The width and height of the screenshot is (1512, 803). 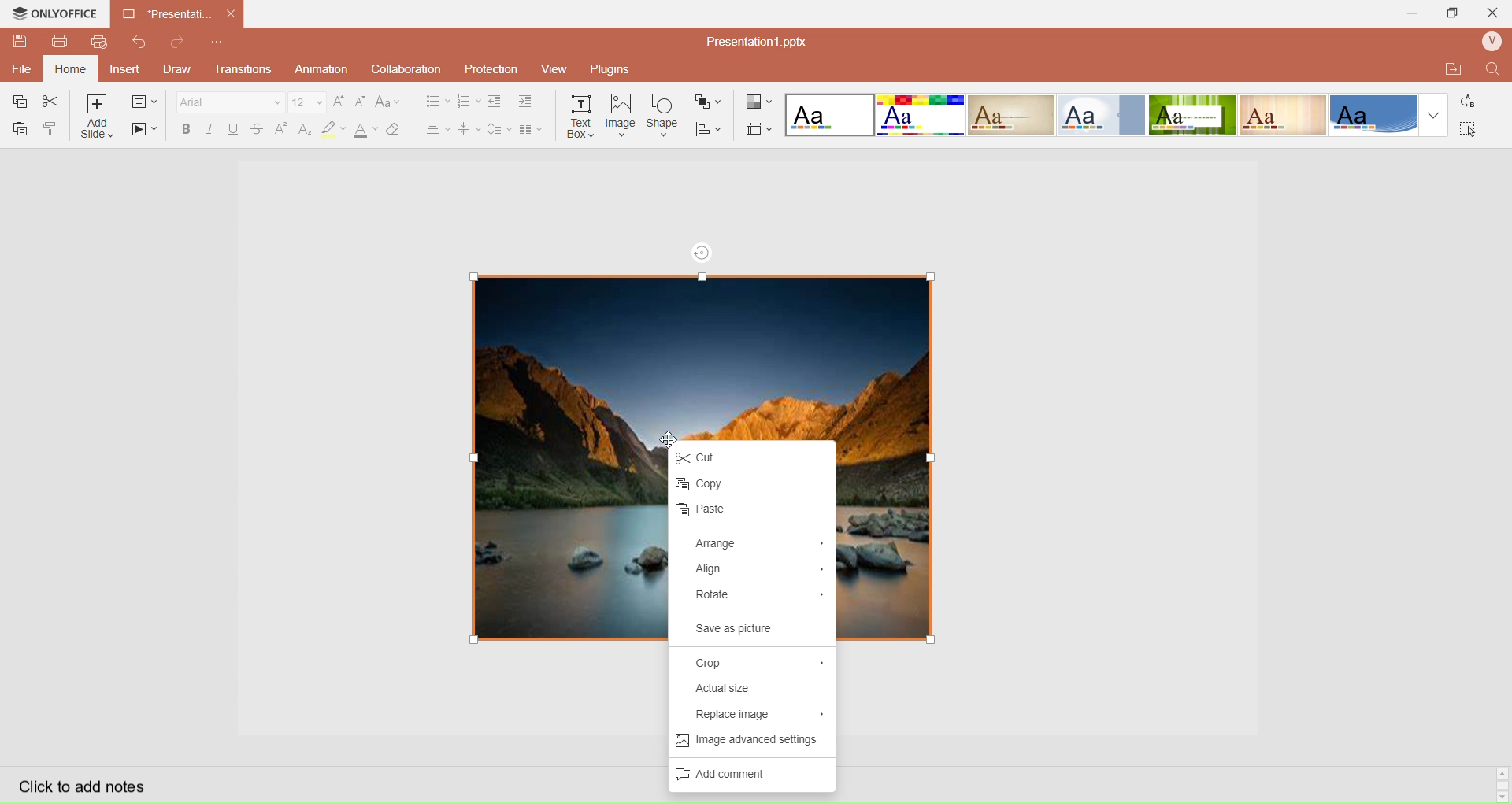 I want to click on image, so click(x=706, y=342).